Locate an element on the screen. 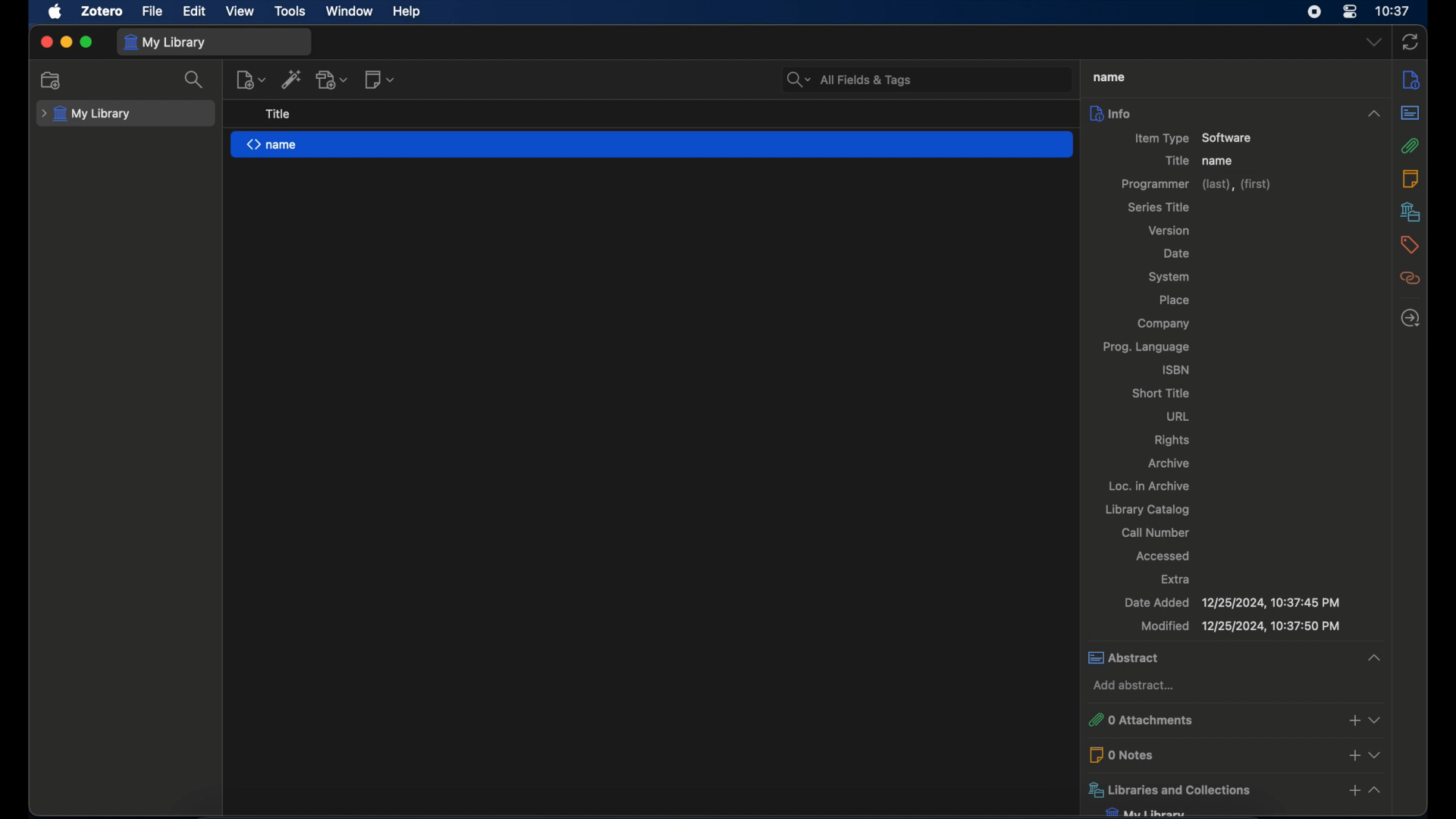 The height and width of the screenshot is (819, 1456). call number is located at coordinates (1155, 532).